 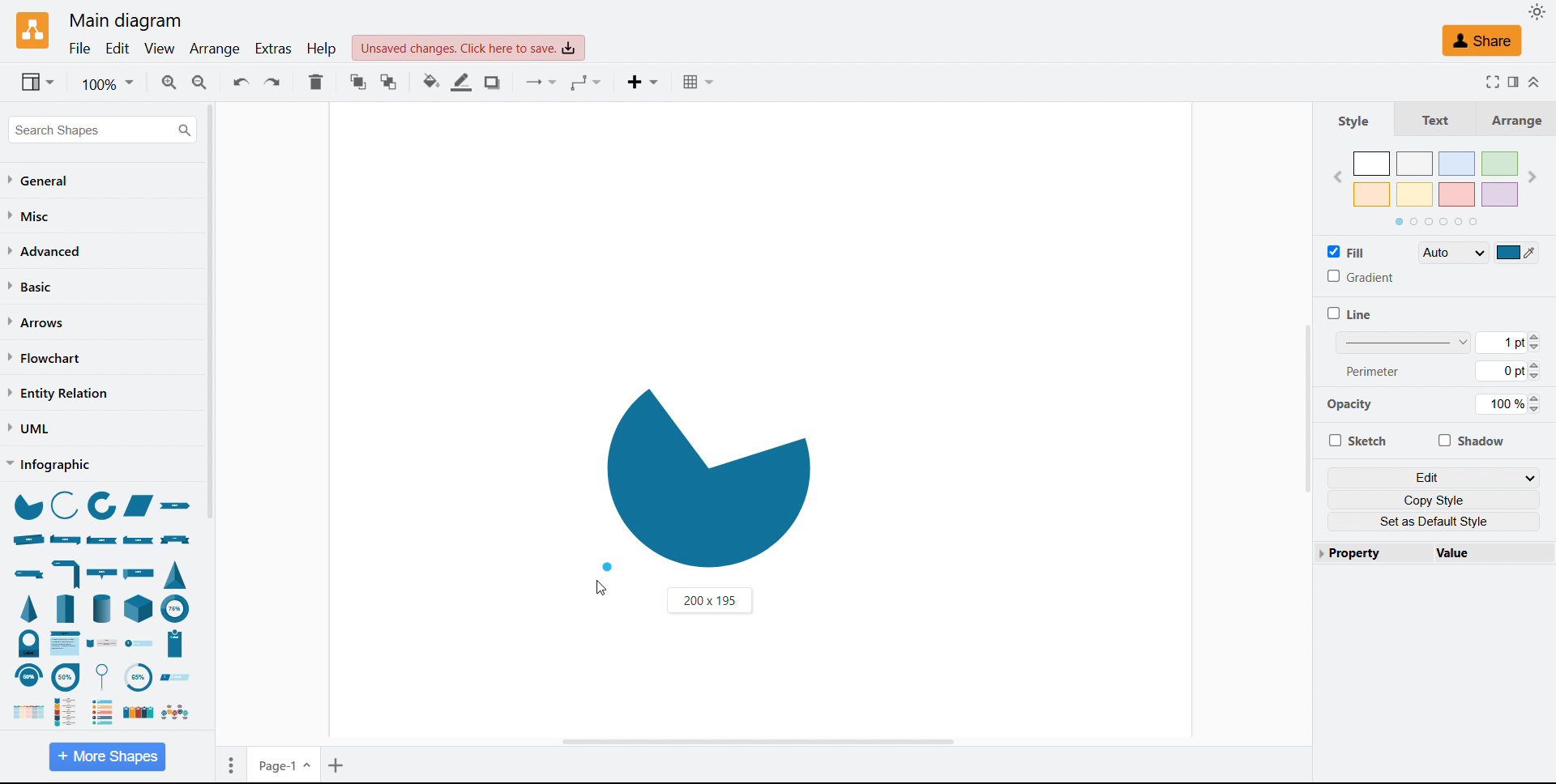 I want to click on Copy style , so click(x=1434, y=500).